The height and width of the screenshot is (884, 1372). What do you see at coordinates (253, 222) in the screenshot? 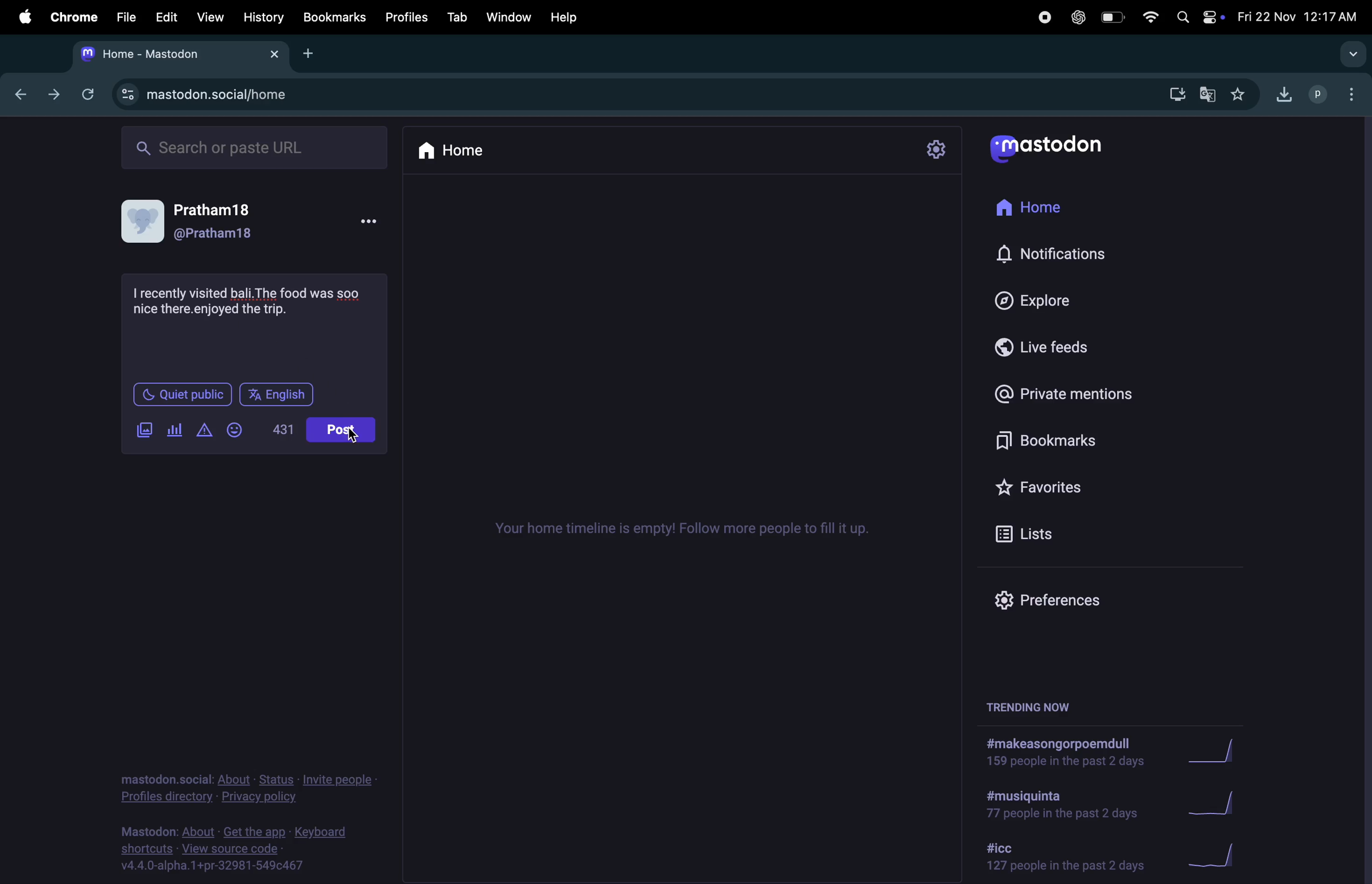
I see `user profile` at bounding box center [253, 222].